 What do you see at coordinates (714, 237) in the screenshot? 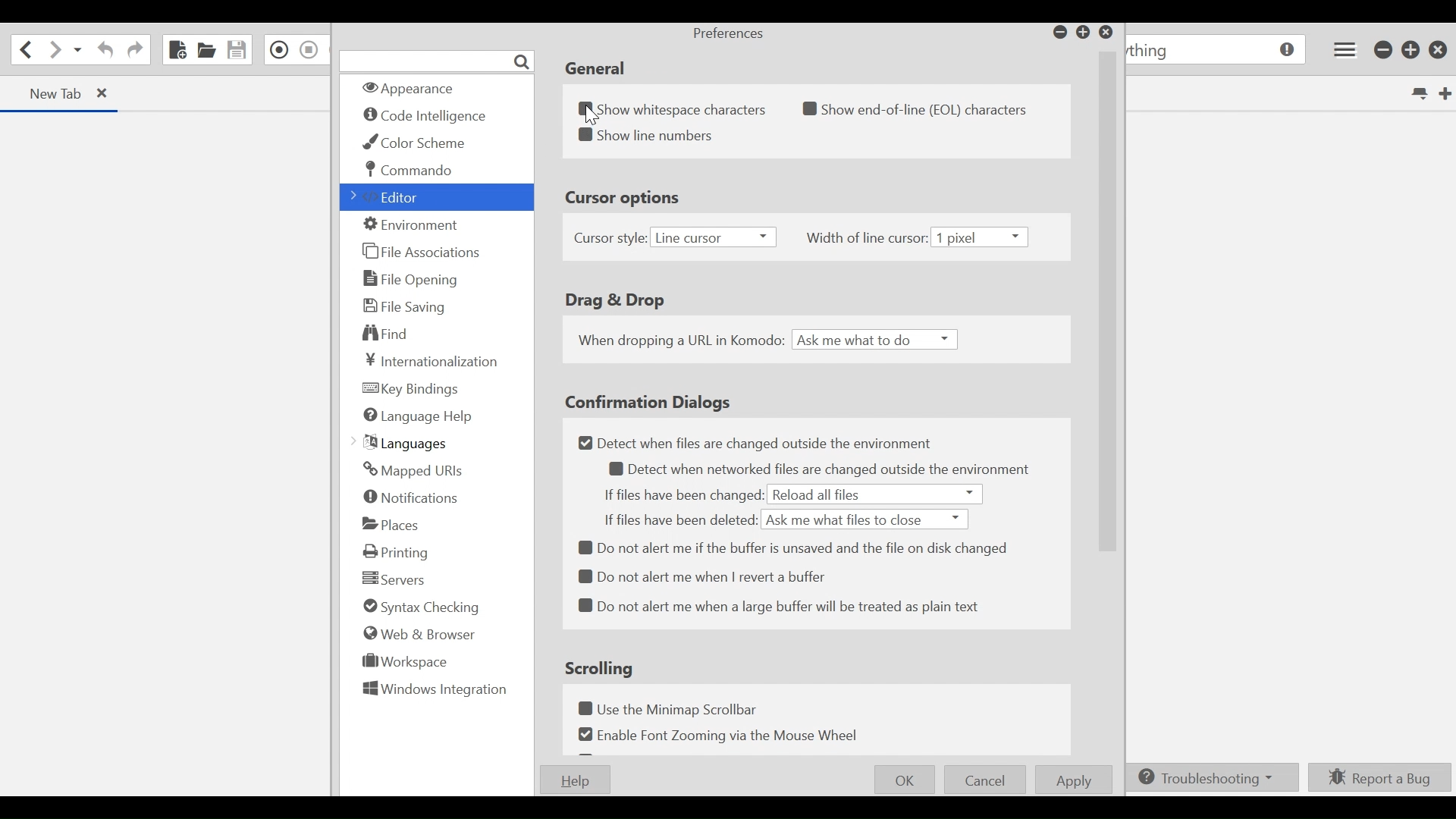
I see ` Line cursor` at bounding box center [714, 237].